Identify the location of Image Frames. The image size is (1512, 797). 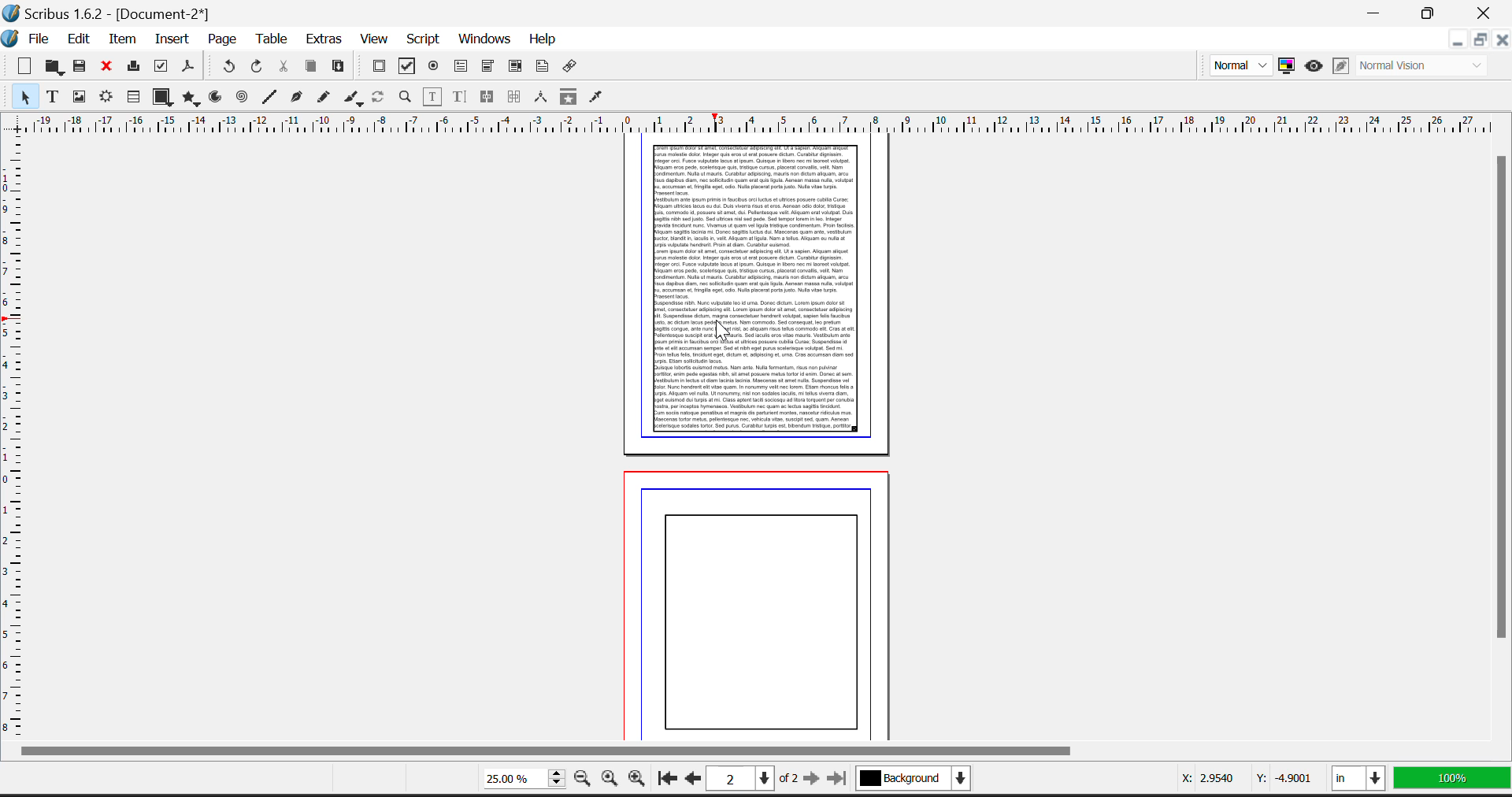
(79, 96).